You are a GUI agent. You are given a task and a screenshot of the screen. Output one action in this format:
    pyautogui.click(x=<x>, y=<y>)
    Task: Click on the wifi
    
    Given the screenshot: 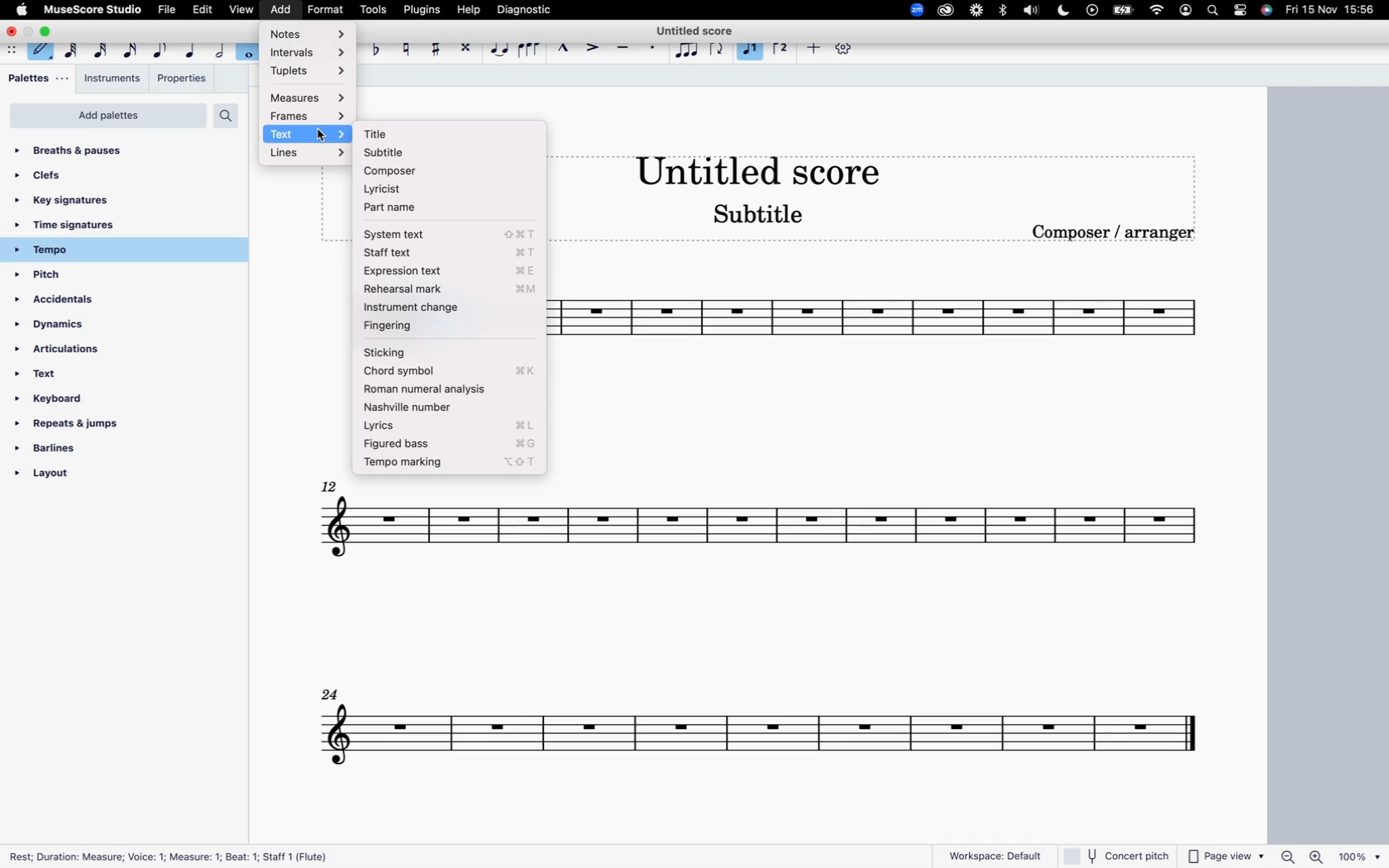 What is the action you would take?
    pyautogui.click(x=1155, y=11)
    